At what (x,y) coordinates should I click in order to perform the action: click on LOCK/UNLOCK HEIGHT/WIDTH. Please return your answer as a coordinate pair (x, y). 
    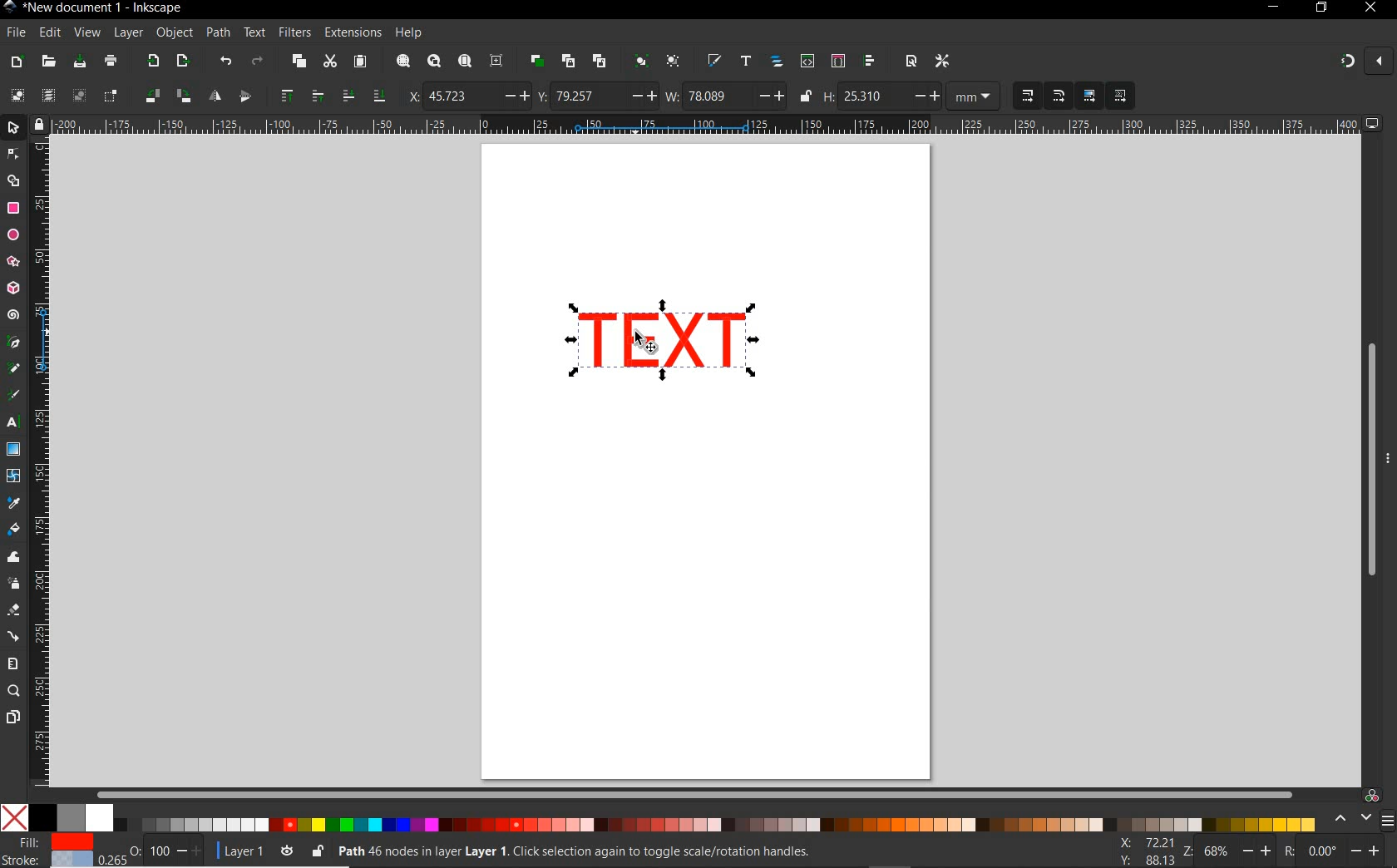
    Looking at the image, I should click on (807, 96).